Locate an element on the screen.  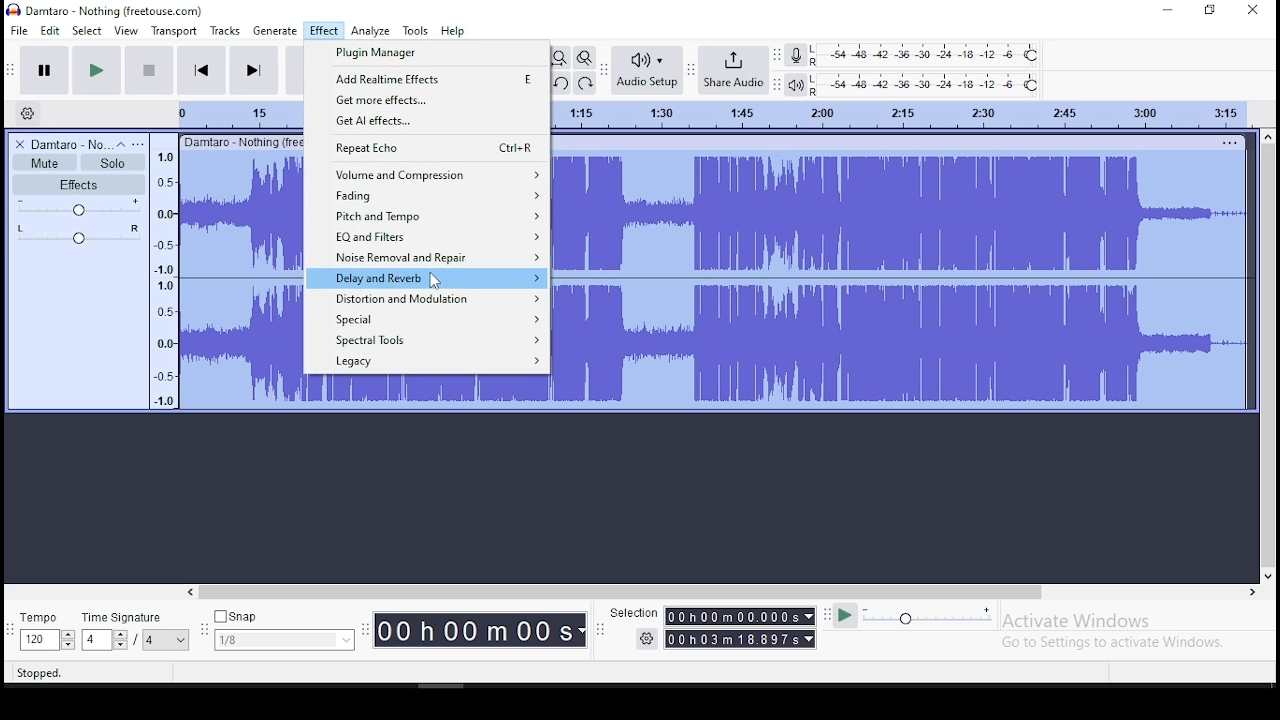
 is located at coordinates (825, 614).